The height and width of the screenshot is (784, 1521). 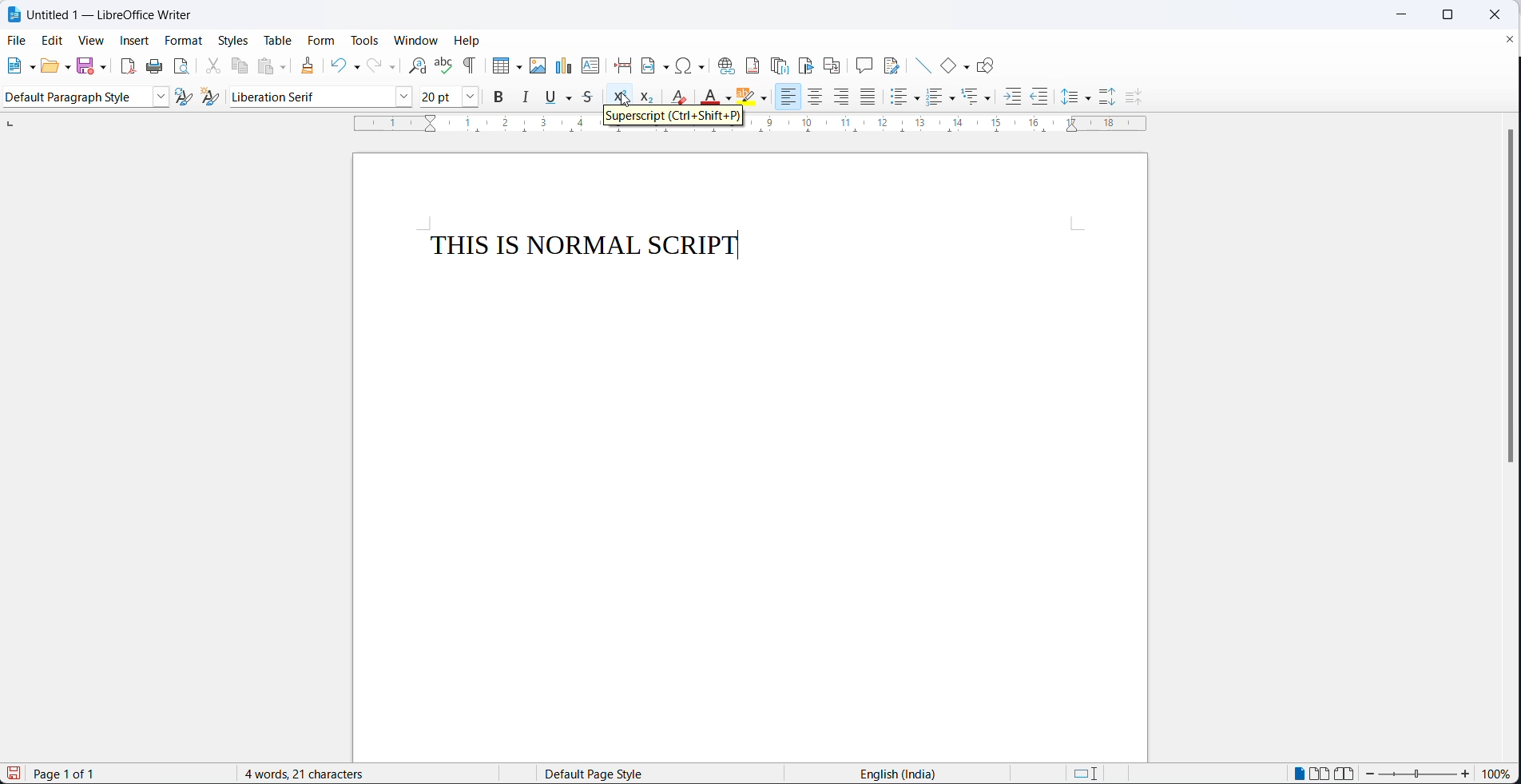 I want to click on character highlight, so click(x=748, y=97).